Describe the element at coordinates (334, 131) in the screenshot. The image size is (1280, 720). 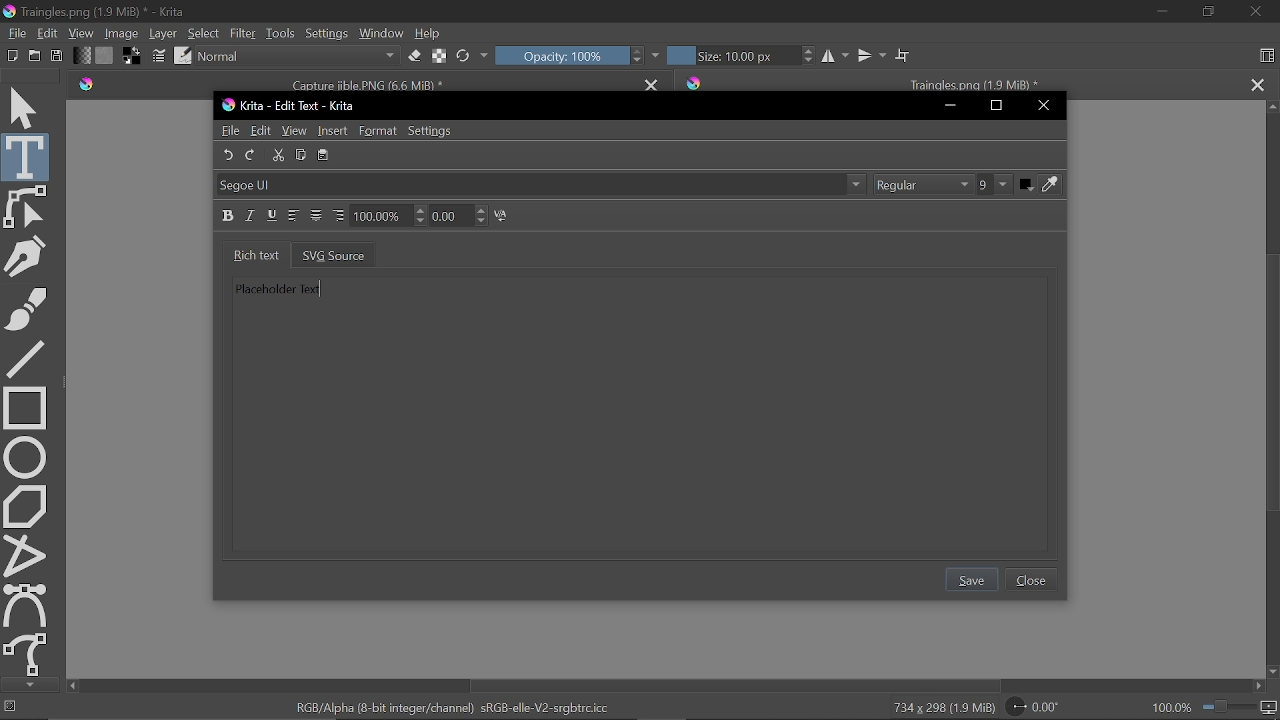
I see `Insert` at that location.